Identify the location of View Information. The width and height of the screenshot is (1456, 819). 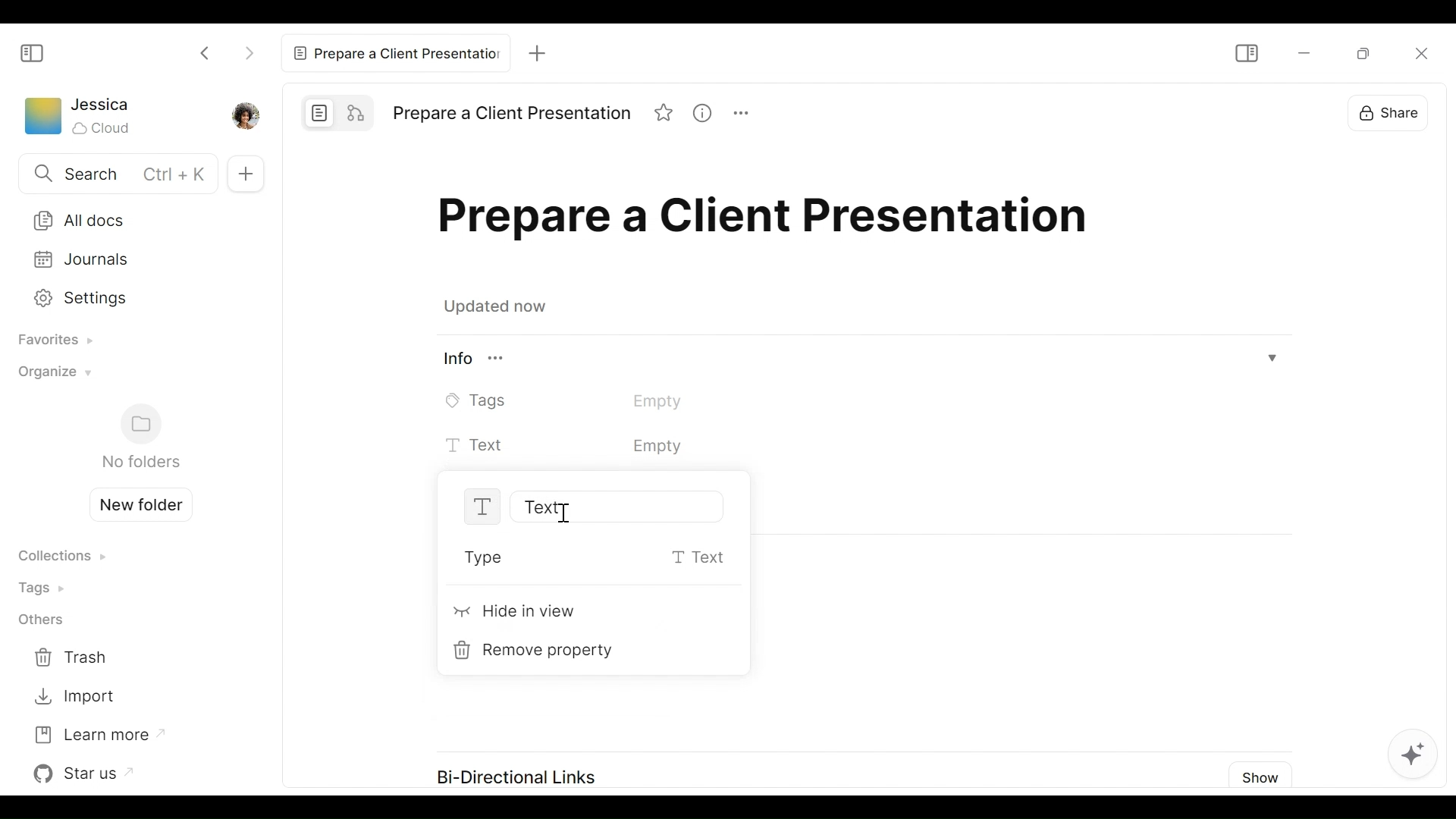
(708, 115).